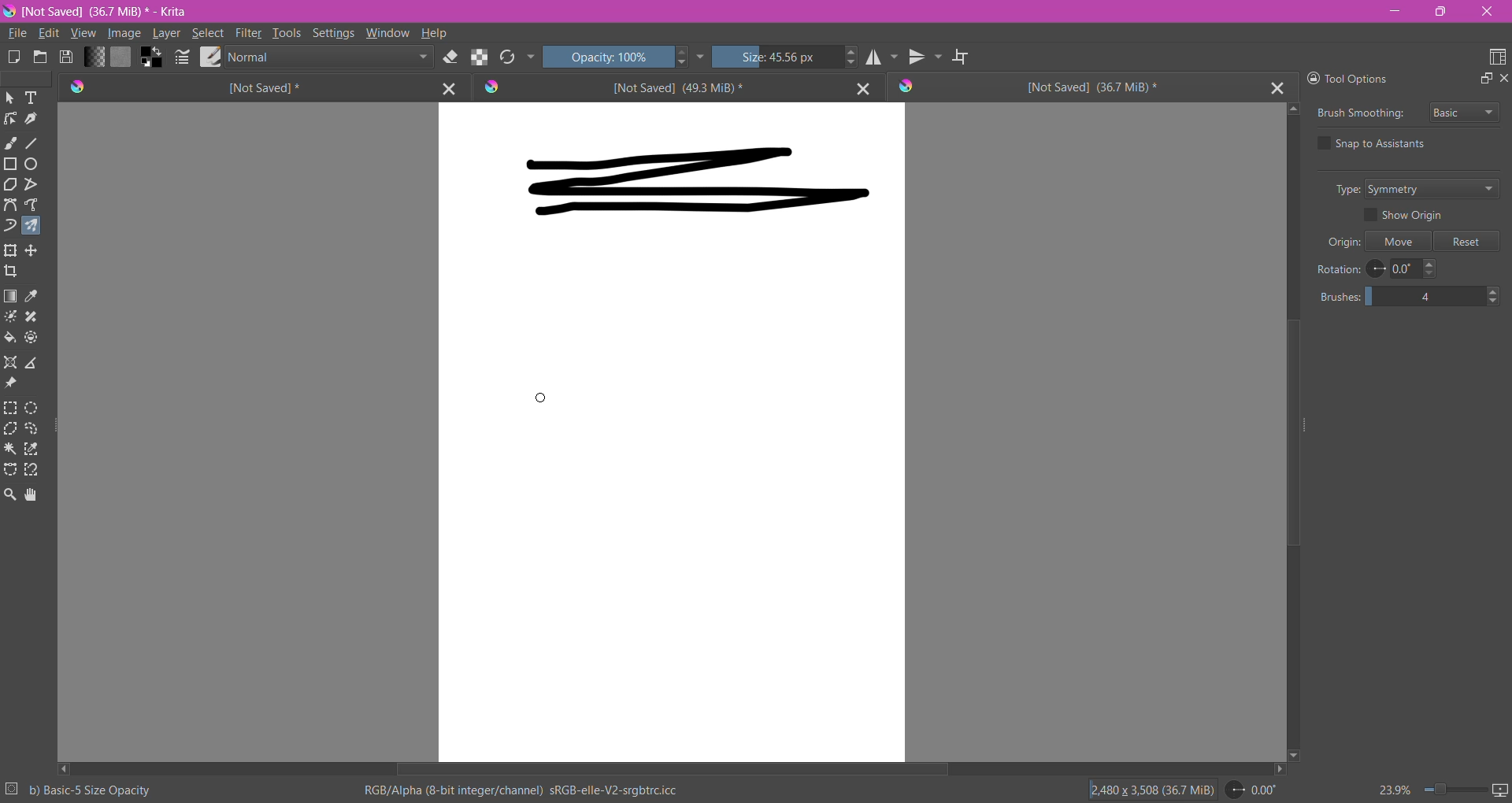  Describe the element at coordinates (12, 450) in the screenshot. I see `Contiguous Selection Tool` at that location.